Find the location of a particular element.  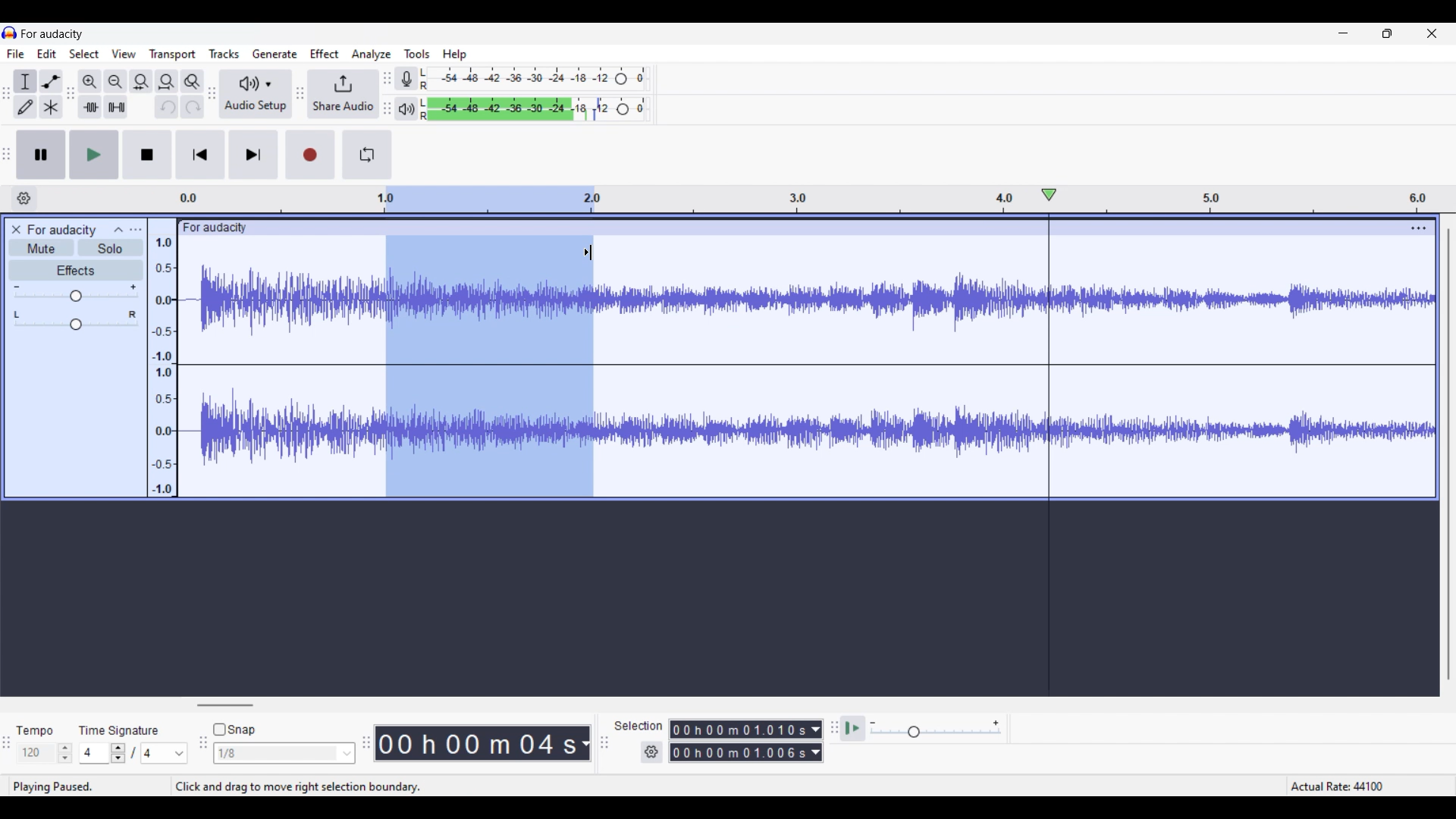

Current track is located at coordinates (279, 359).